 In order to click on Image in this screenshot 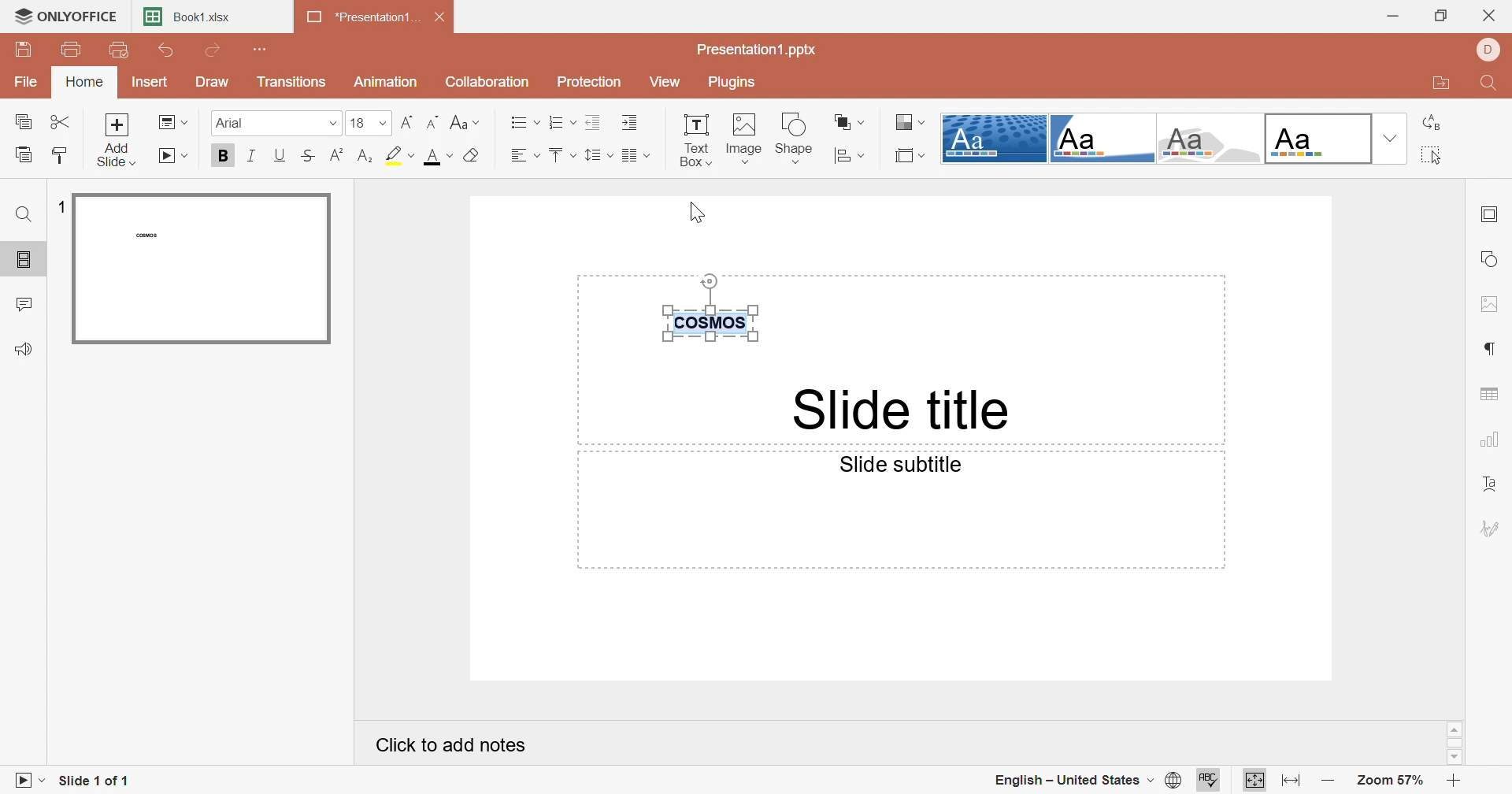, I will do `click(745, 141)`.